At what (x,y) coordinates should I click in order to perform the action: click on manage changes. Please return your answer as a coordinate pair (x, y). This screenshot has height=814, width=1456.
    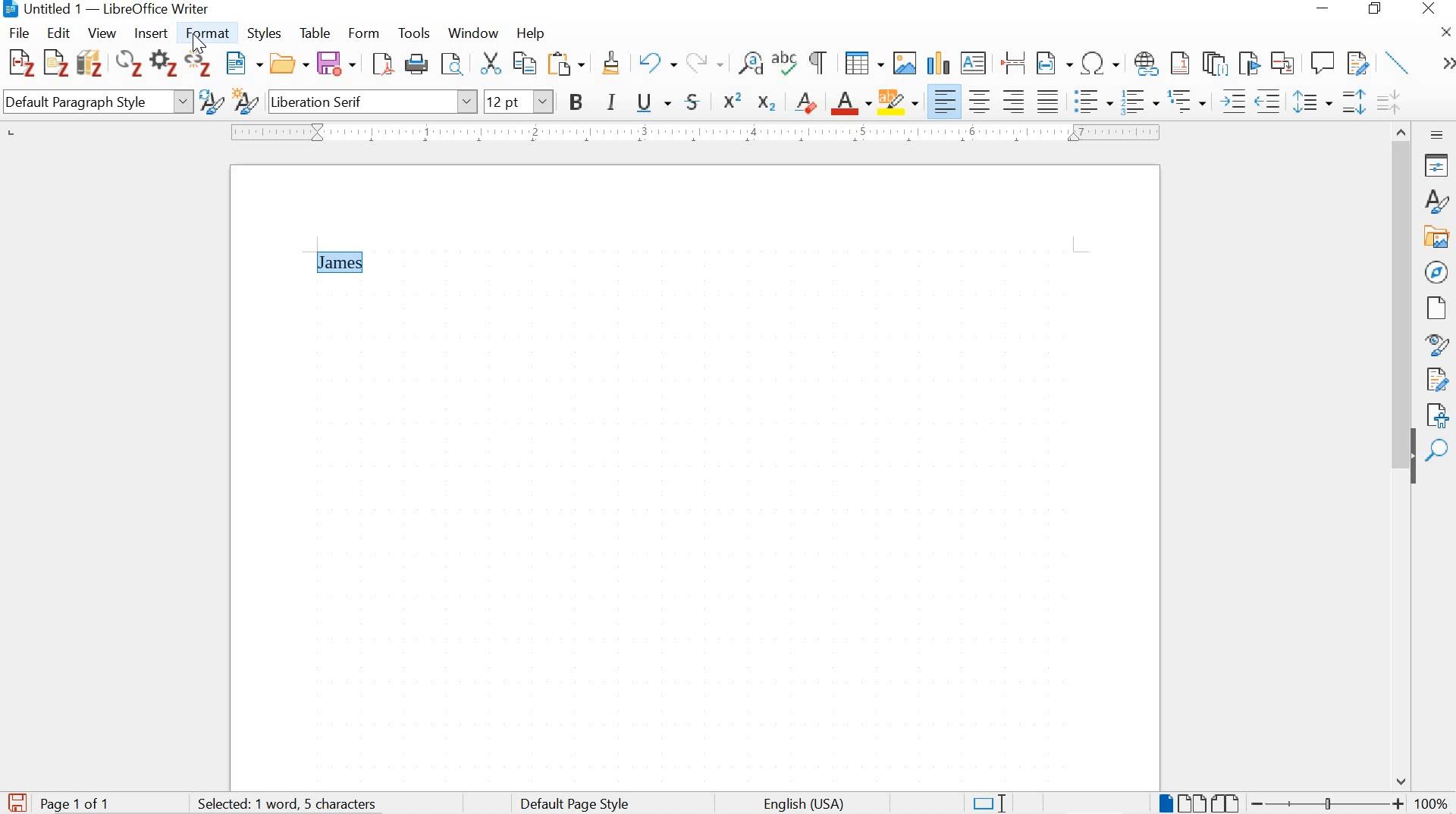
    Looking at the image, I should click on (1437, 381).